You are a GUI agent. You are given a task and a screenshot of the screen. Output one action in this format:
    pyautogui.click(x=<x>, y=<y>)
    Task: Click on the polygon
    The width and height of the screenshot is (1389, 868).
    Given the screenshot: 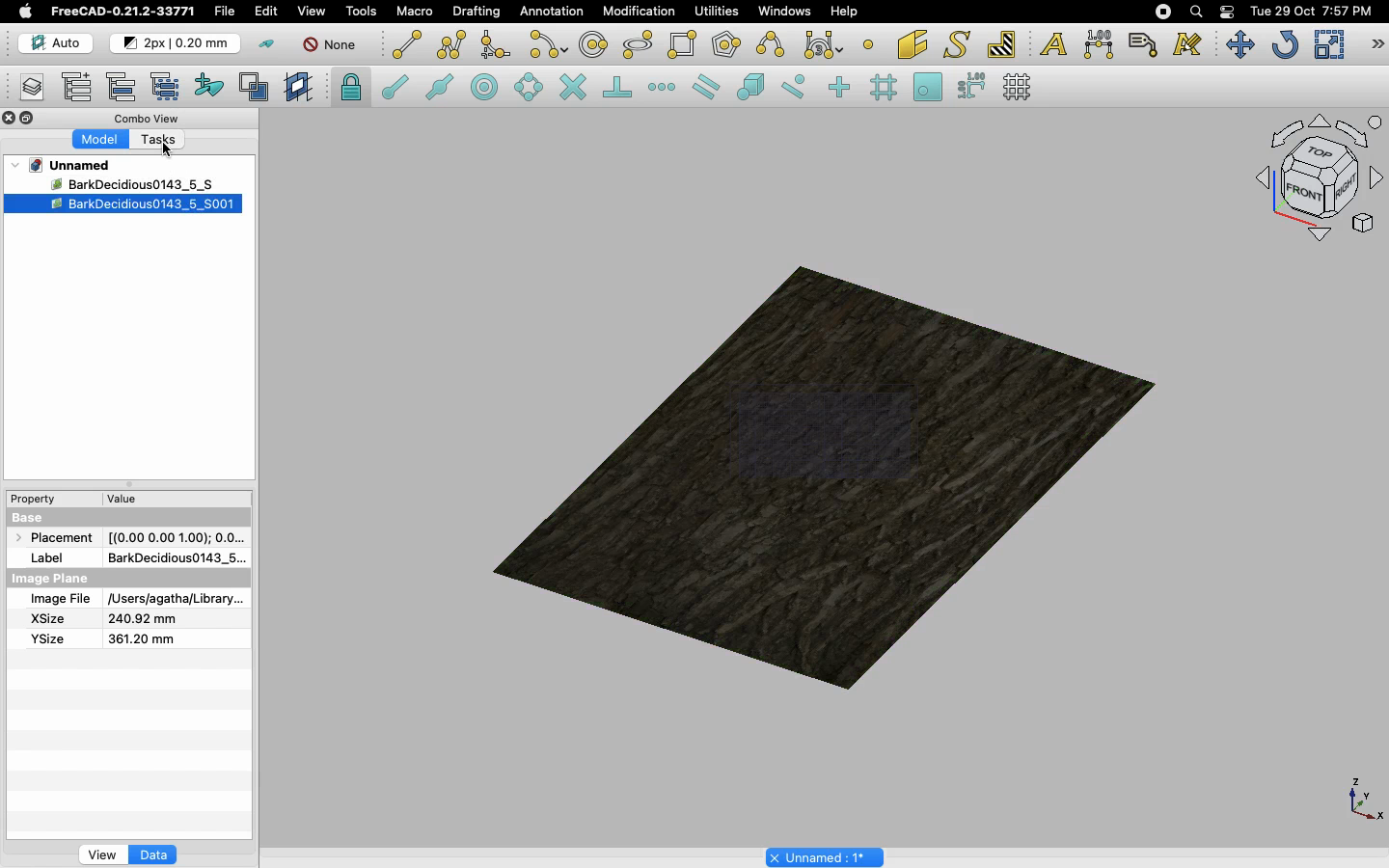 What is the action you would take?
    pyautogui.click(x=639, y=45)
    